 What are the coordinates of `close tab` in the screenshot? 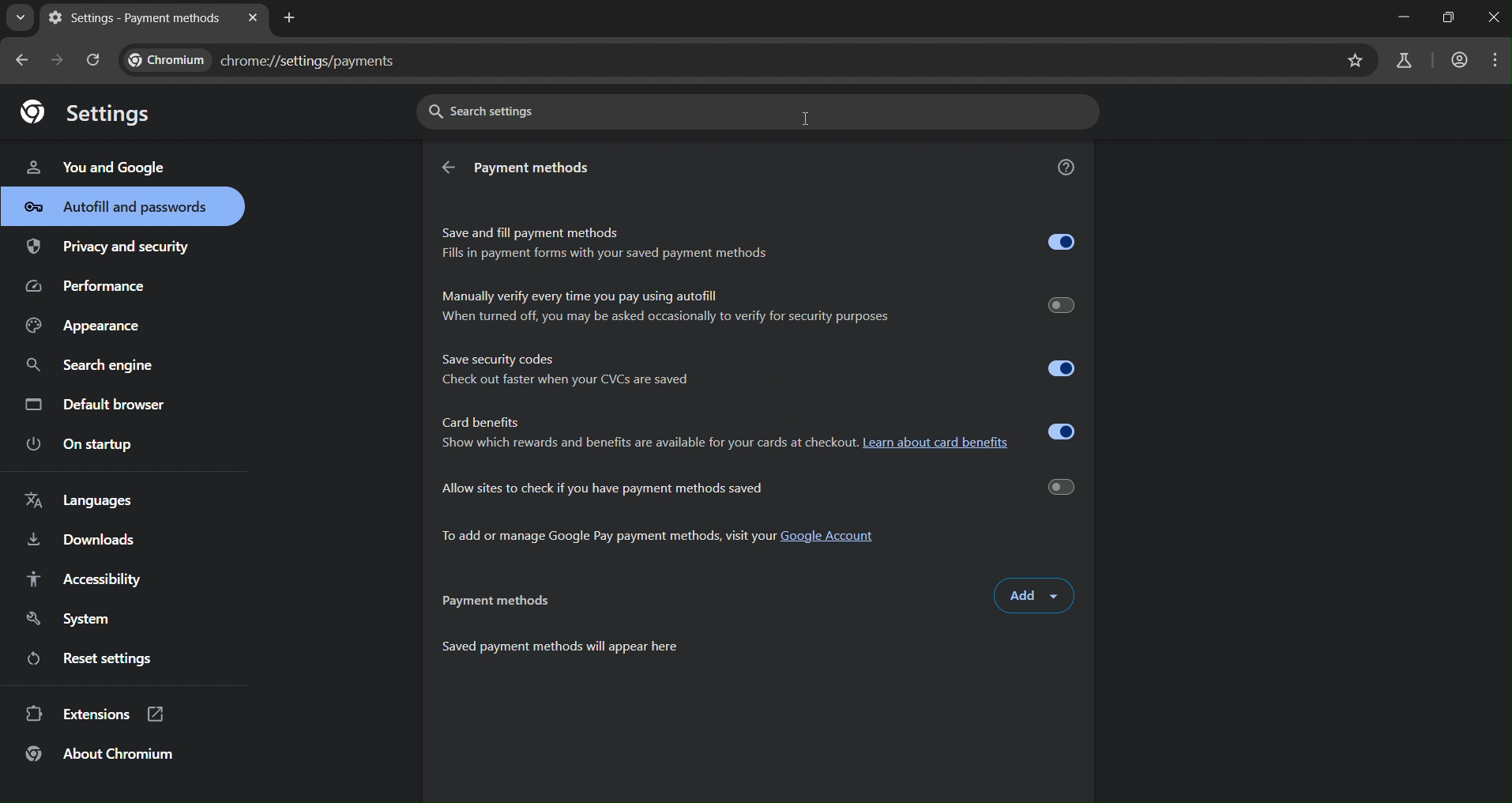 It's located at (254, 17).